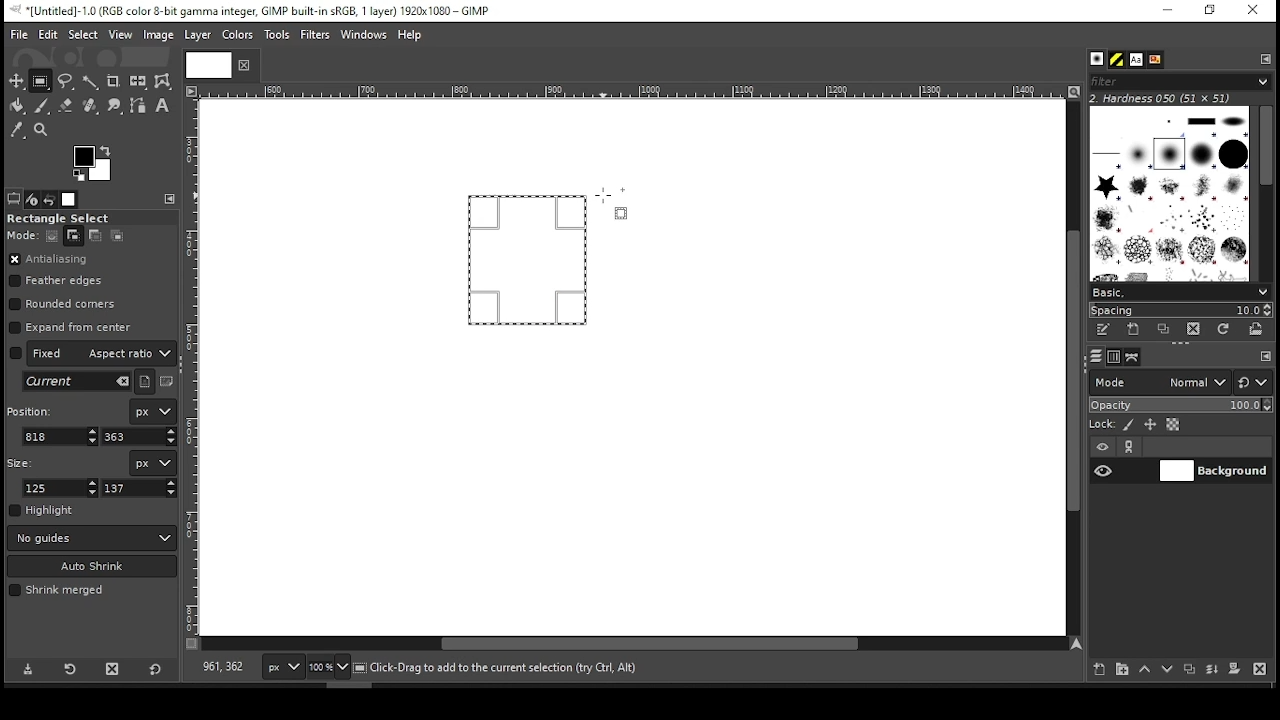 The height and width of the screenshot is (720, 1280). What do you see at coordinates (1132, 425) in the screenshot?
I see `lock pixels` at bounding box center [1132, 425].